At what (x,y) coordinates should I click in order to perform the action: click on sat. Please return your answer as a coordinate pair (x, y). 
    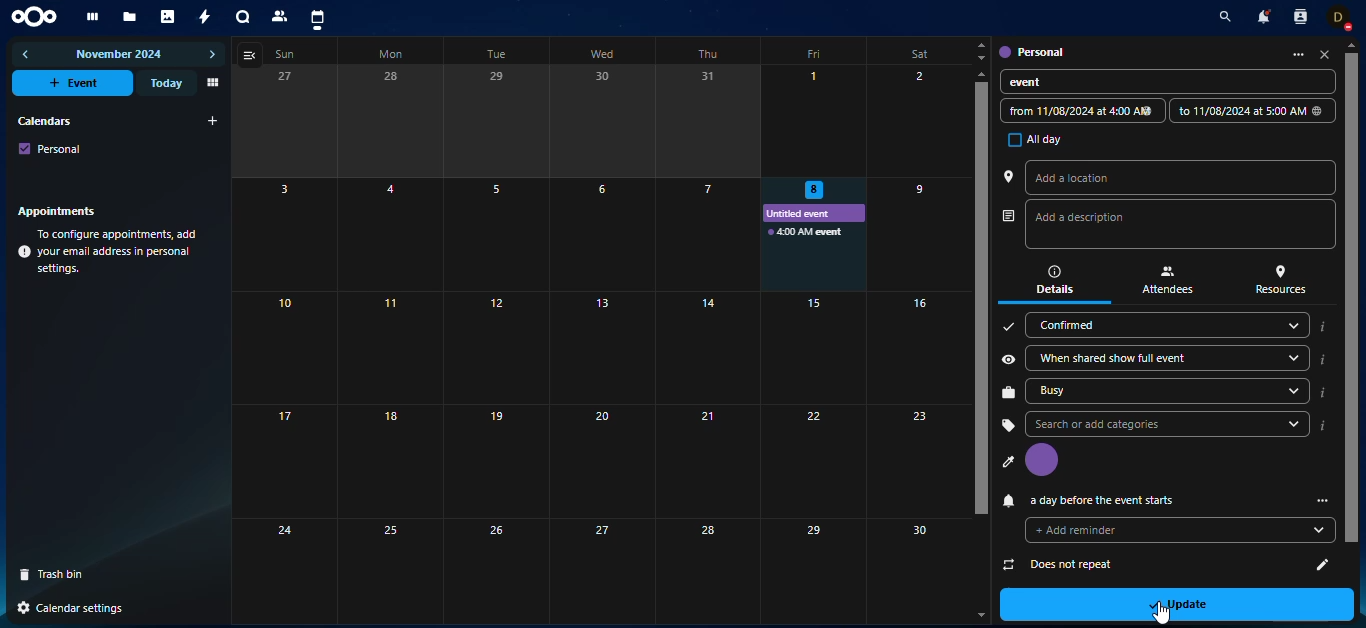
    Looking at the image, I should click on (912, 52).